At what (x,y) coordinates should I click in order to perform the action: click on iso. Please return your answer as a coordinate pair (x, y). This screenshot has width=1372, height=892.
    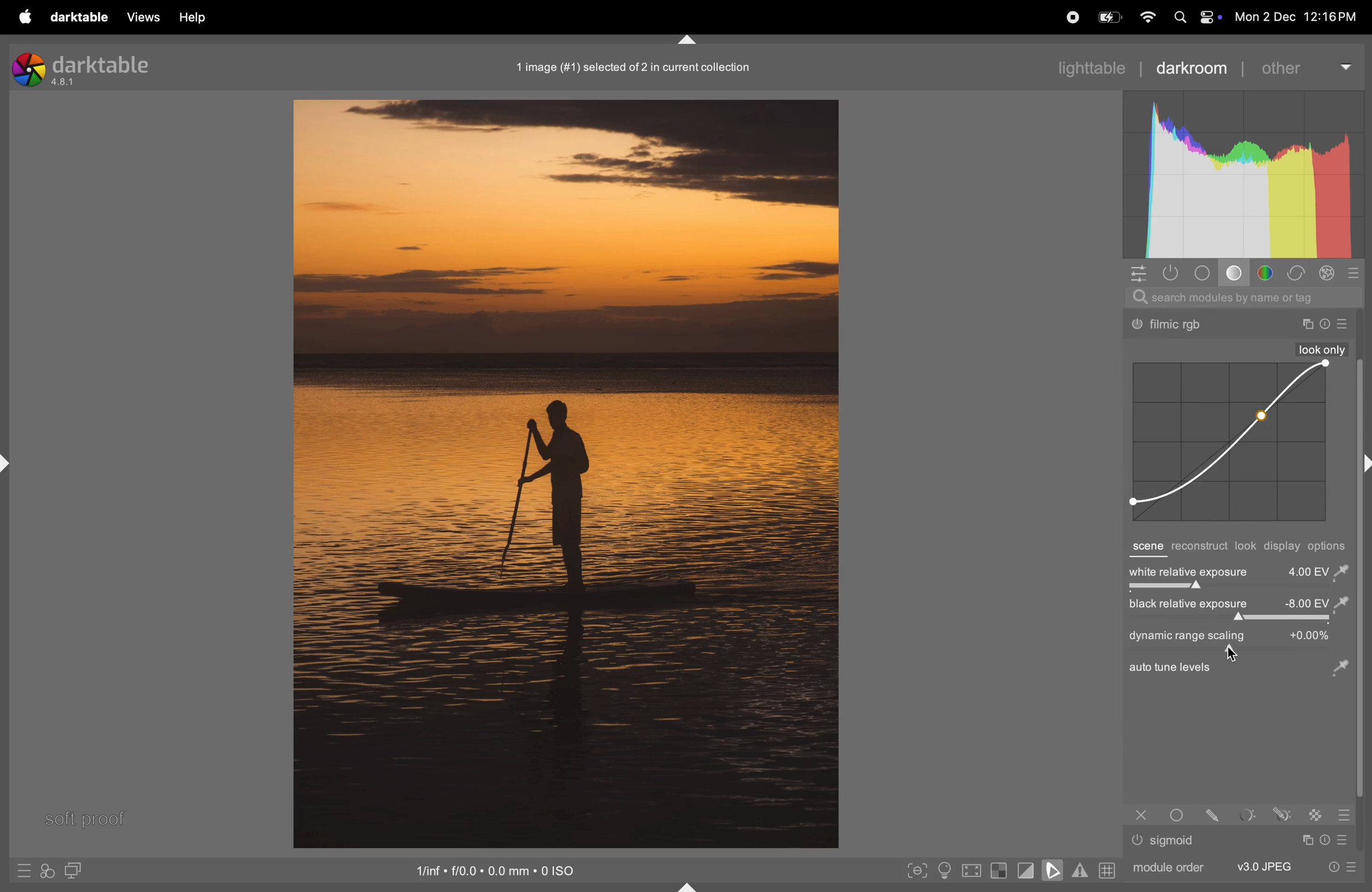
    Looking at the image, I should click on (499, 869).